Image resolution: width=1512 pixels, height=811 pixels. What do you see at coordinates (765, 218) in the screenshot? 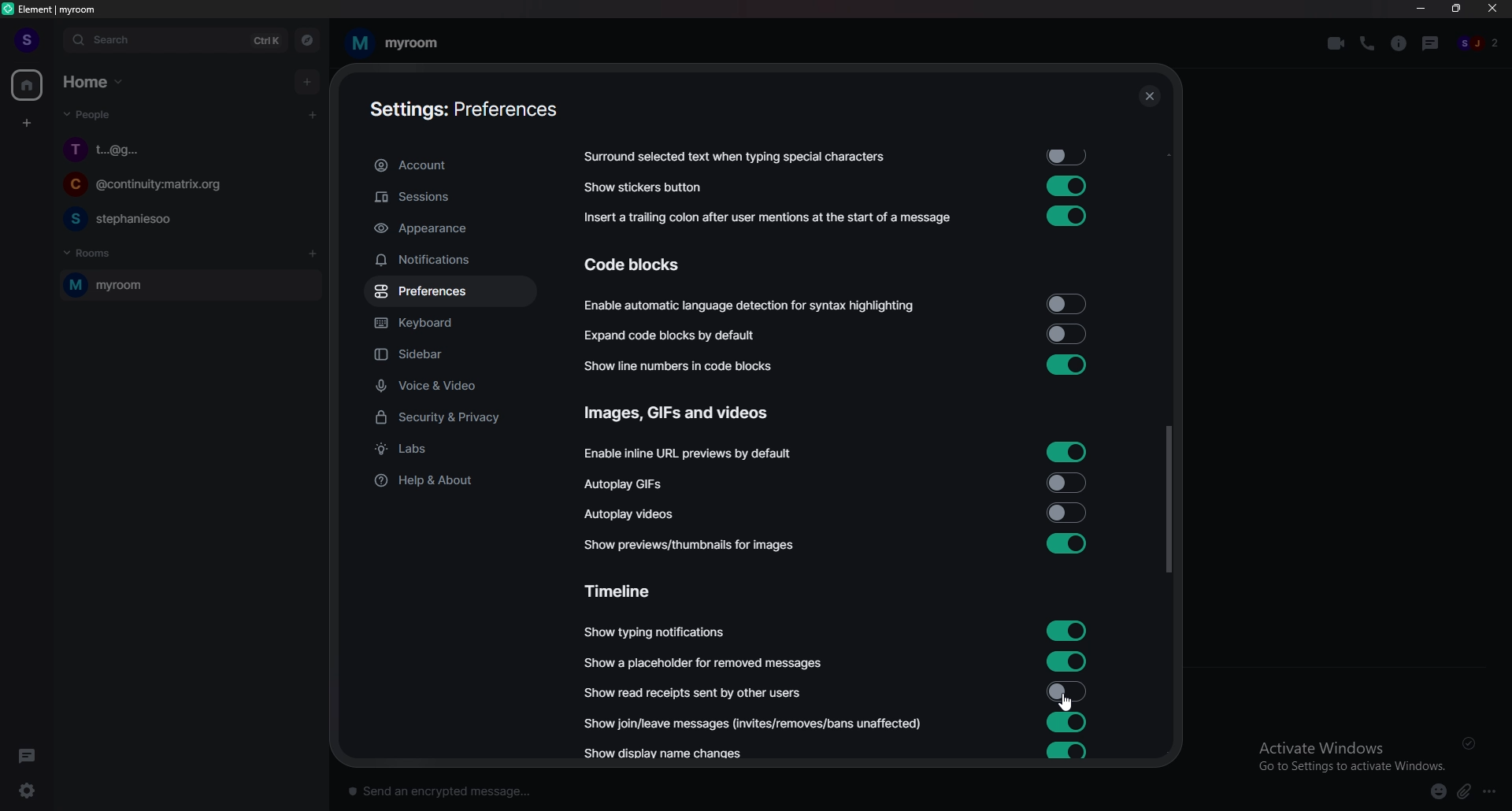
I see `insert and trailing colon` at bounding box center [765, 218].